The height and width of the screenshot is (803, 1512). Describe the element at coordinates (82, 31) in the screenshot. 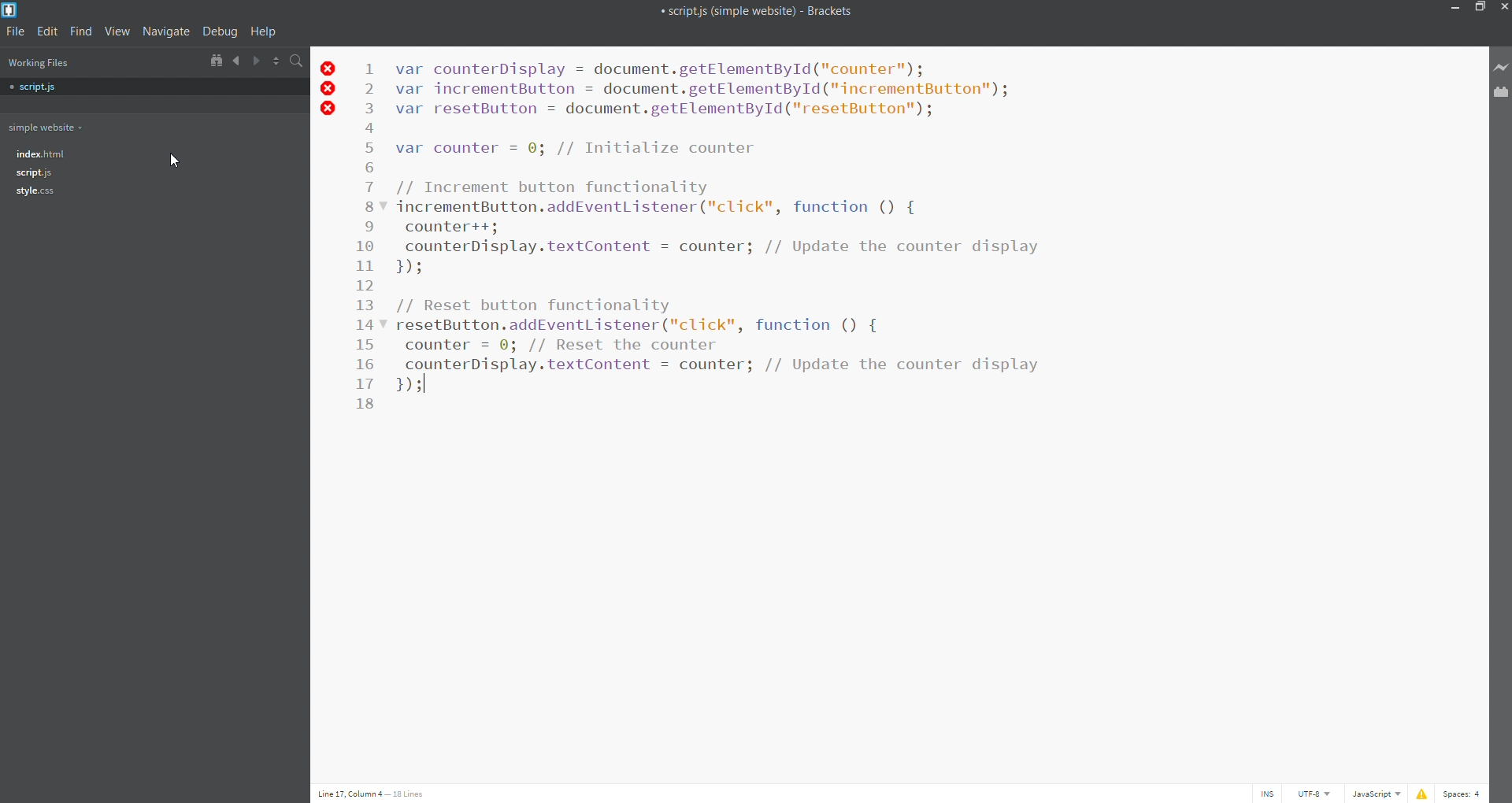

I see `find` at that location.